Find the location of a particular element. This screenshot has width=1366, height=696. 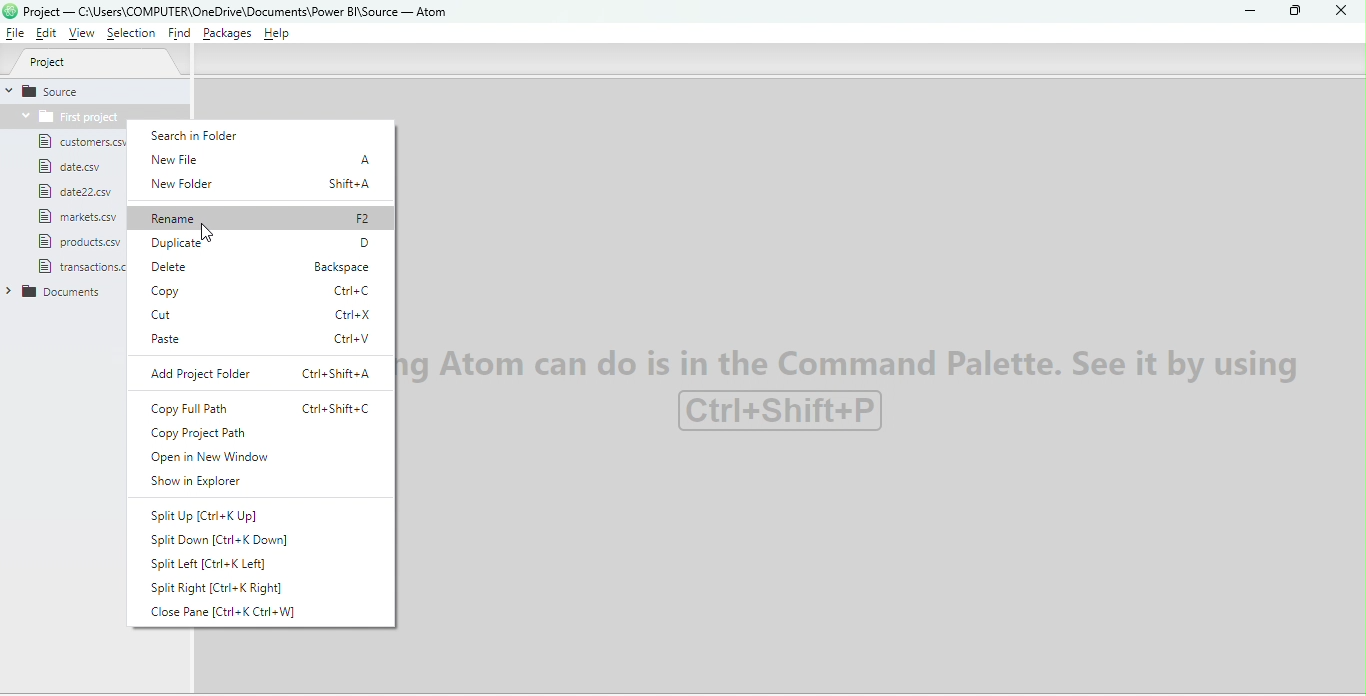

Cursor is located at coordinates (208, 228).